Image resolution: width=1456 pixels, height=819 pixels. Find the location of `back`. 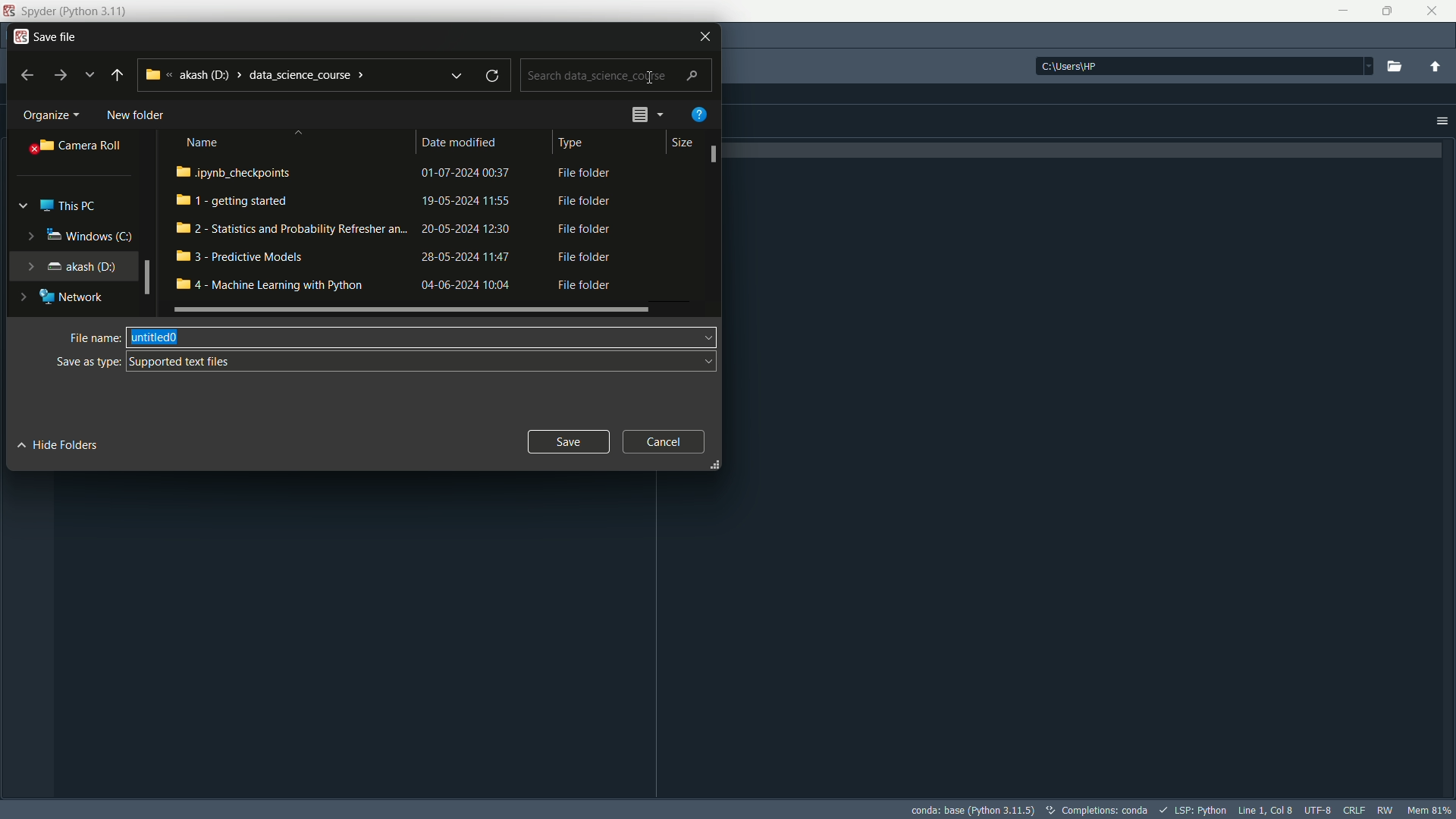

back is located at coordinates (118, 75).